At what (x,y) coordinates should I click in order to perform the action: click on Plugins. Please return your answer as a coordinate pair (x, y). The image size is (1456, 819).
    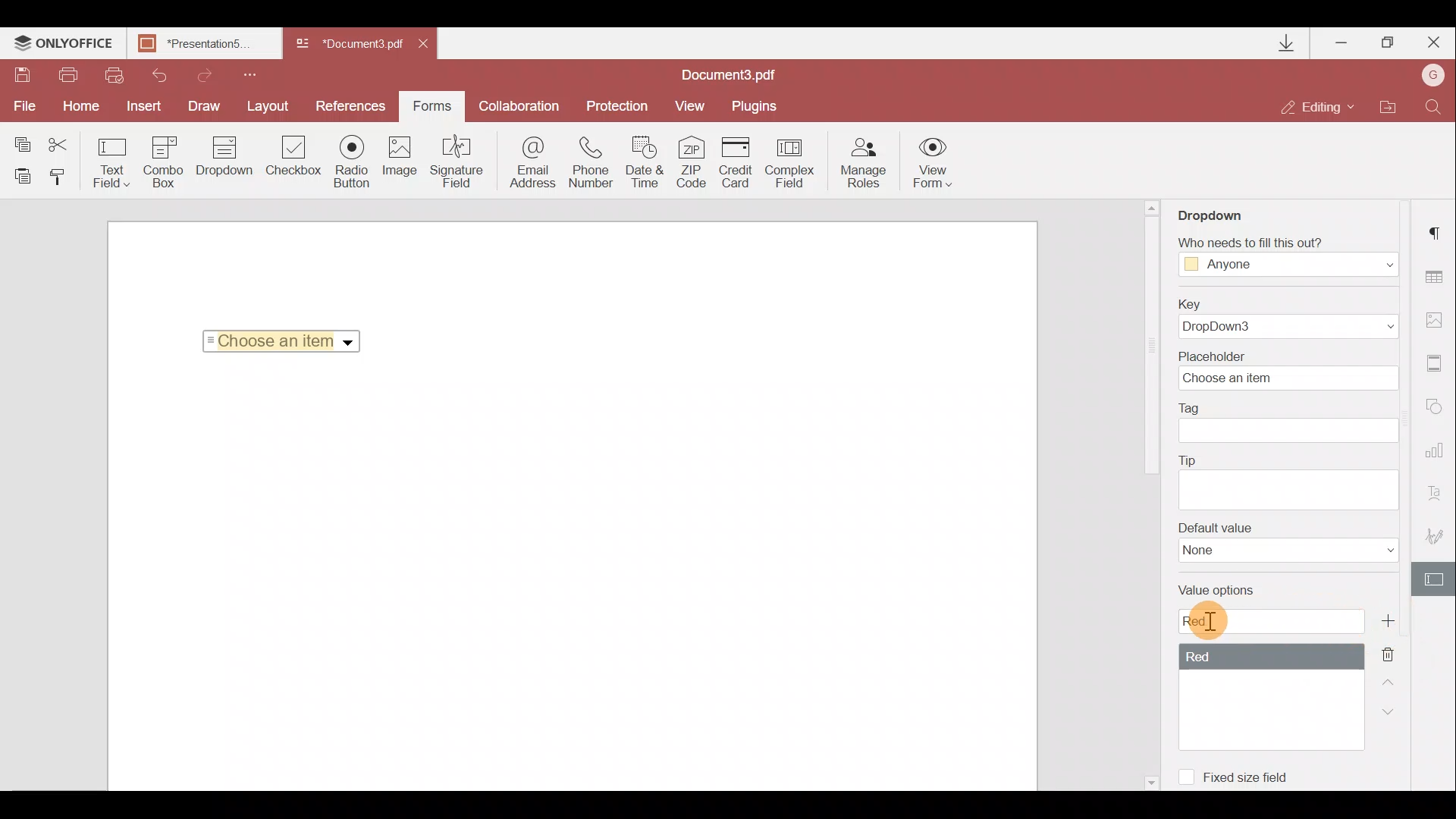
    Looking at the image, I should click on (756, 107).